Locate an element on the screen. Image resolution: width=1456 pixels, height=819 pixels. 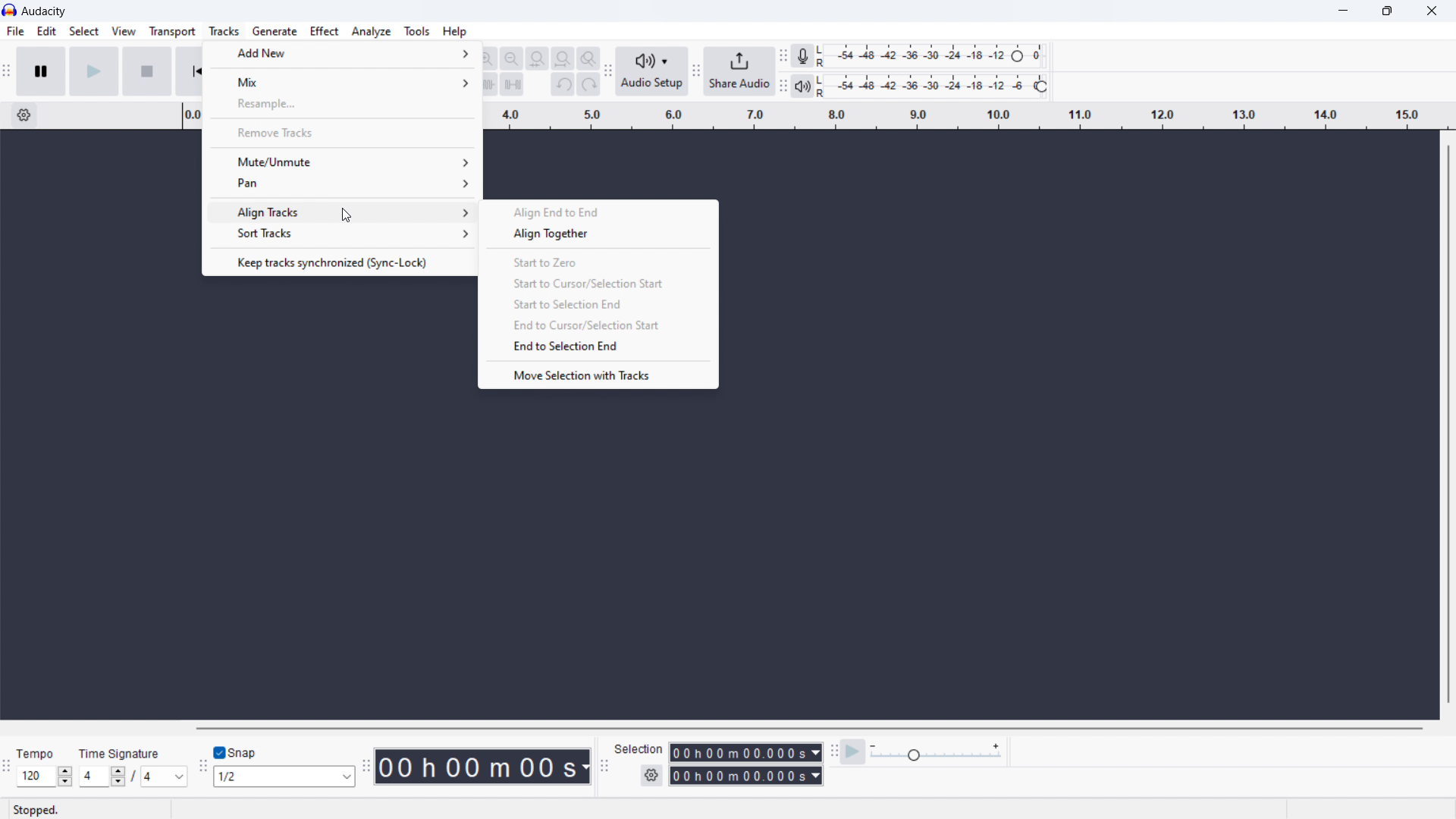
toggle zoom is located at coordinates (588, 58).